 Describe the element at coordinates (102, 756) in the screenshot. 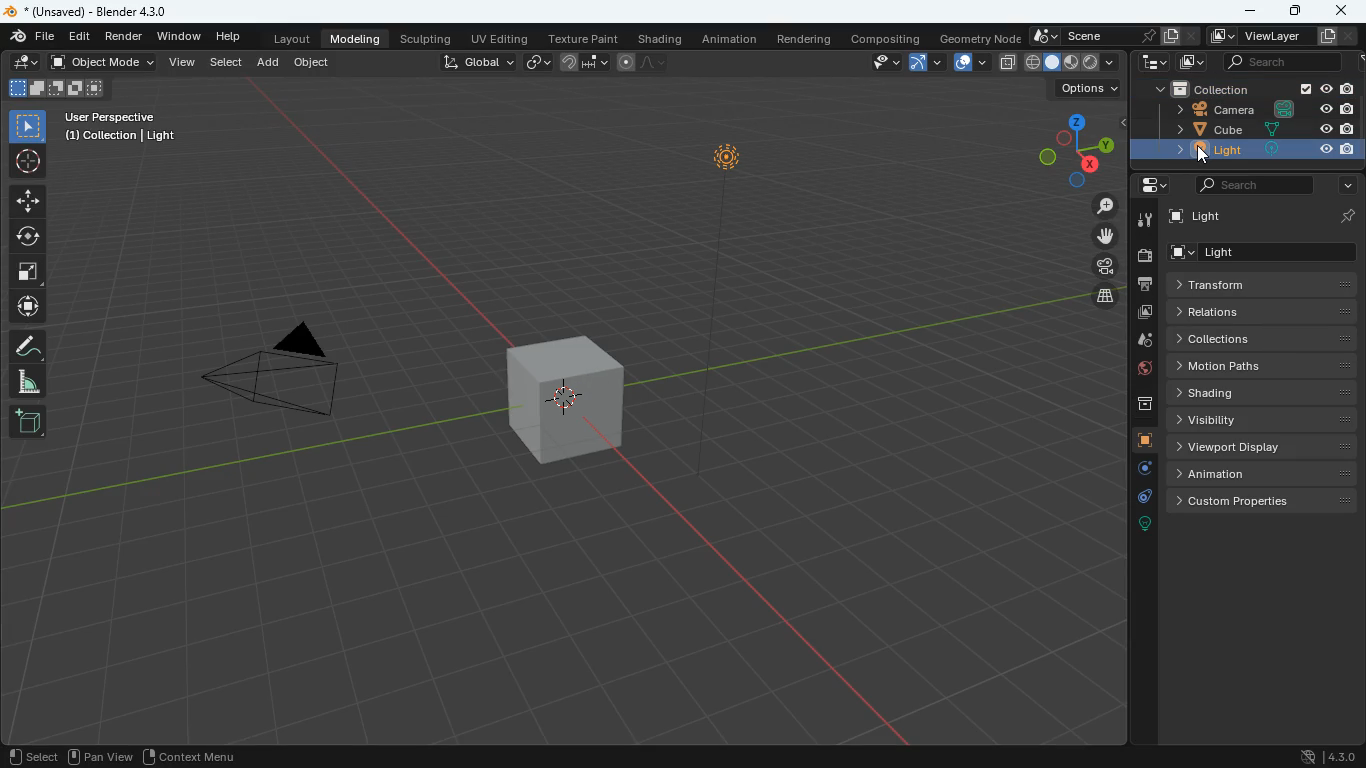

I see `pan view` at that location.